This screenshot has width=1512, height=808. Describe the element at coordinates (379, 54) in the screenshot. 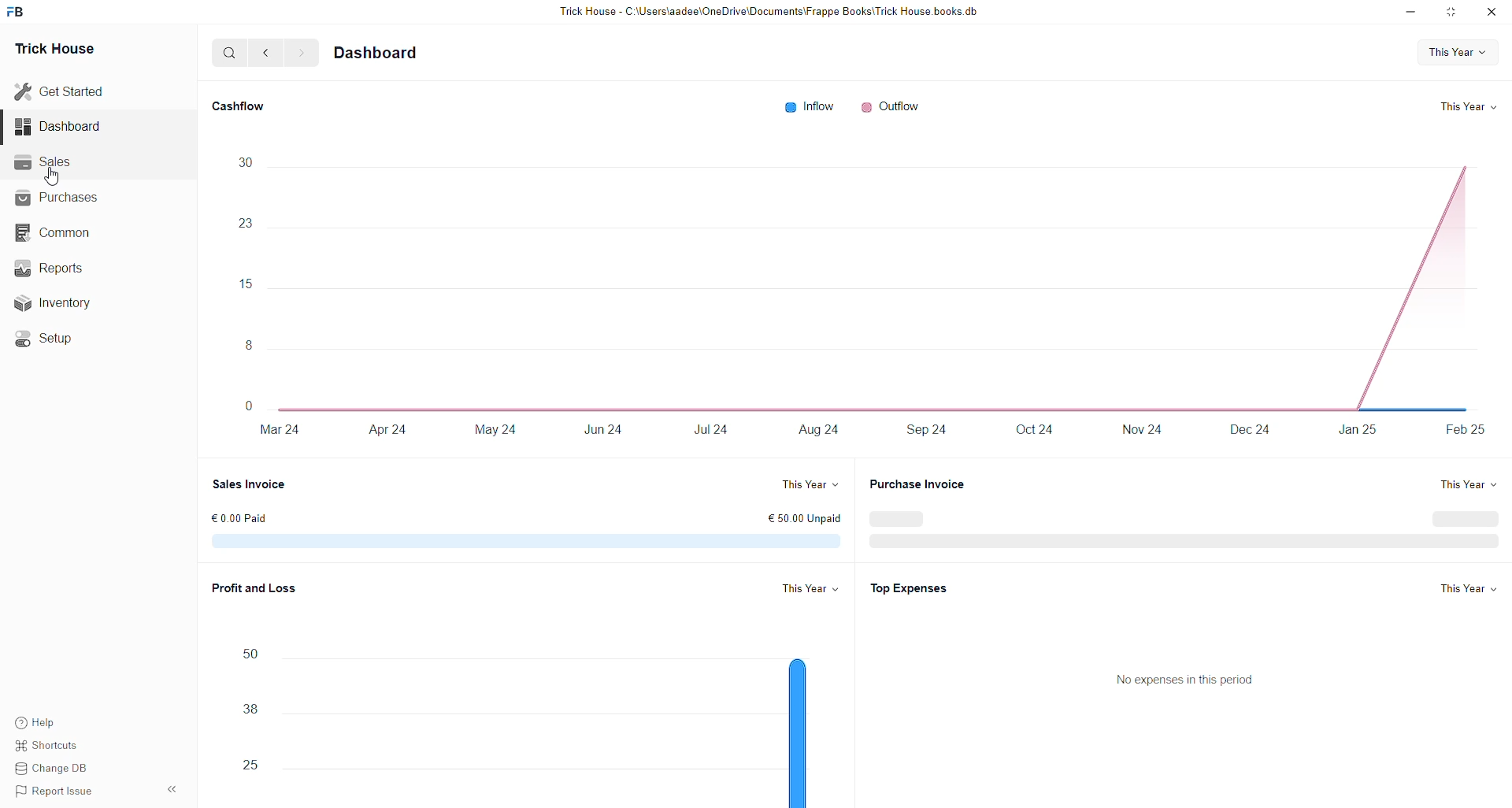

I see `Dashboard` at that location.